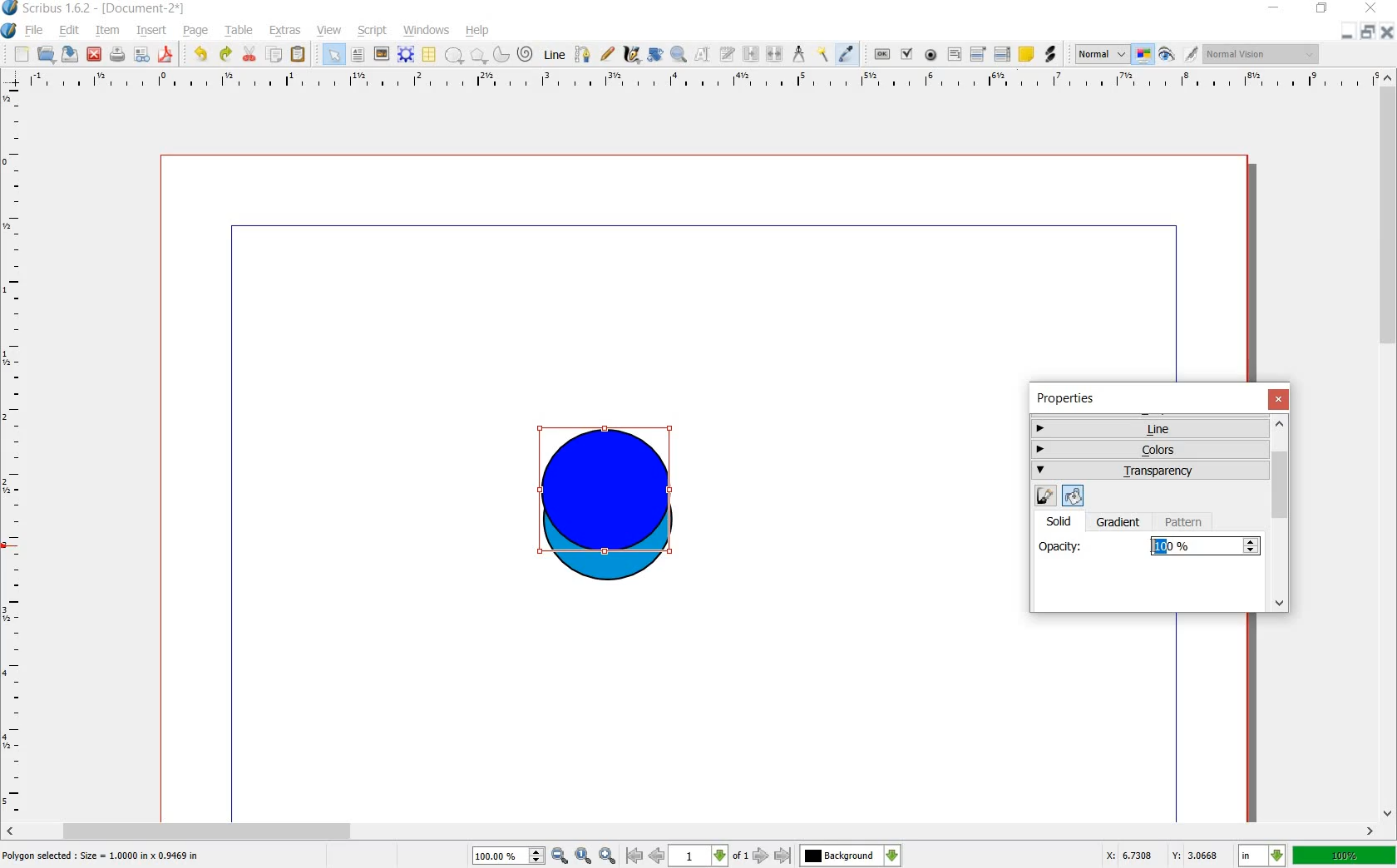  Describe the element at coordinates (846, 54) in the screenshot. I see `eye dropper` at that location.